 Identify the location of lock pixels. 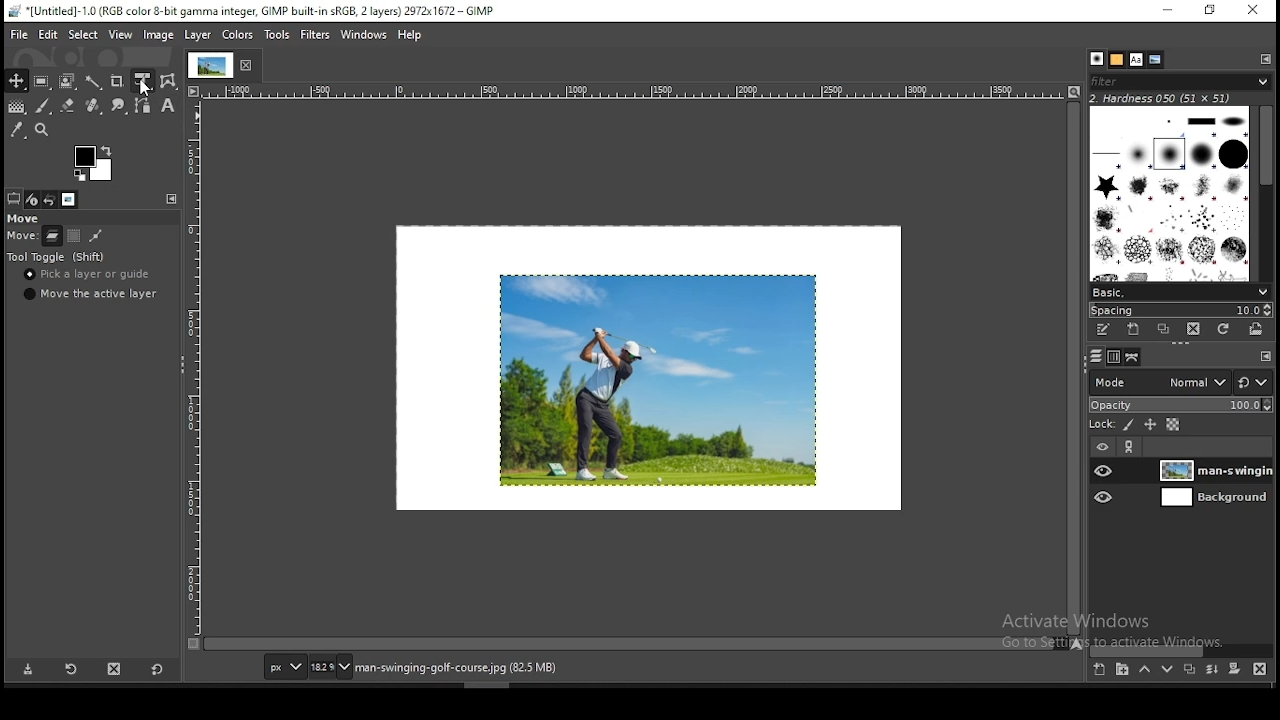
(1126, 424).